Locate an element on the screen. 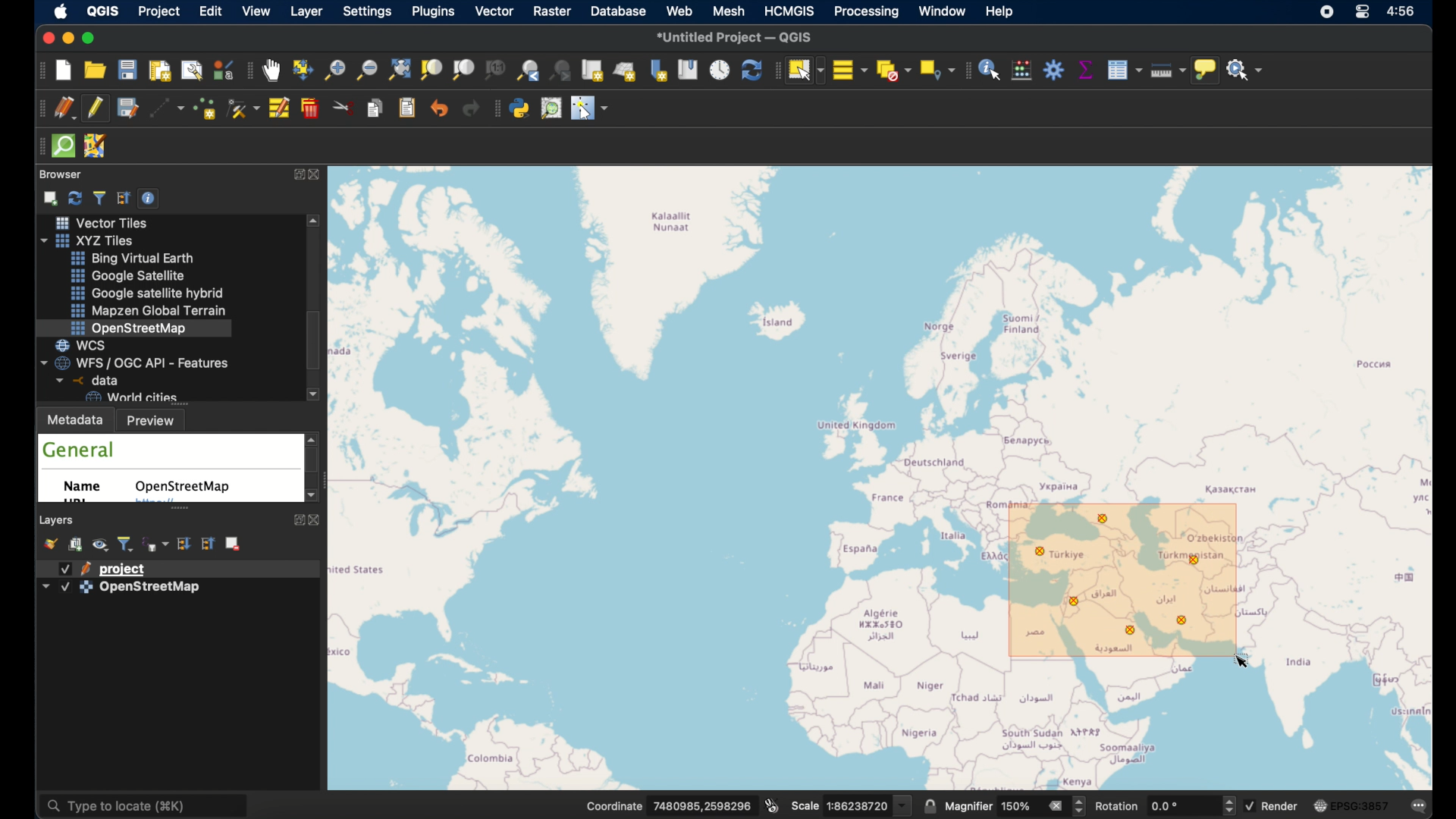  openstreetmap is located at coordinates (130, 328).